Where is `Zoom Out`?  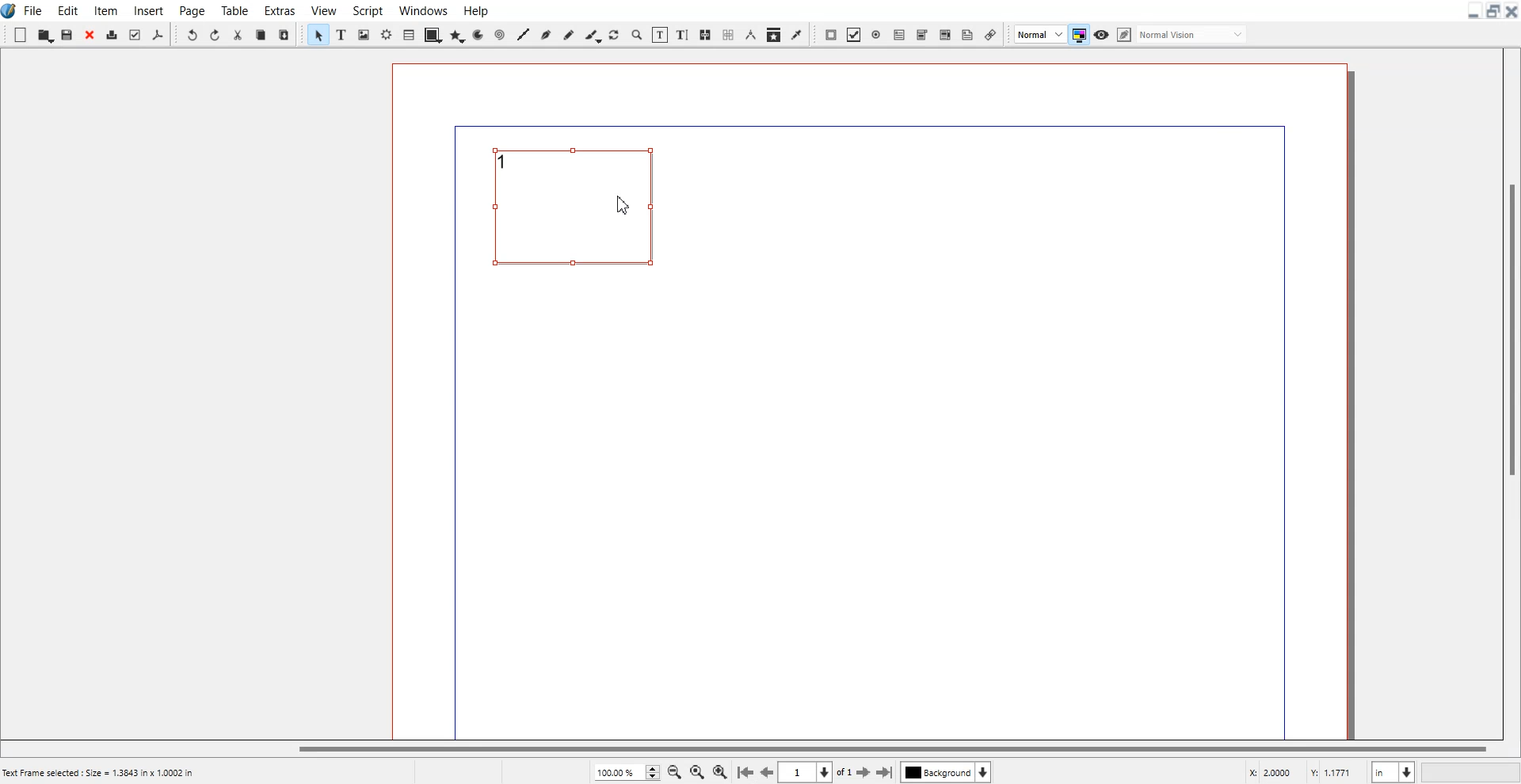 Zoom Out is located at coordinates (674, 771).